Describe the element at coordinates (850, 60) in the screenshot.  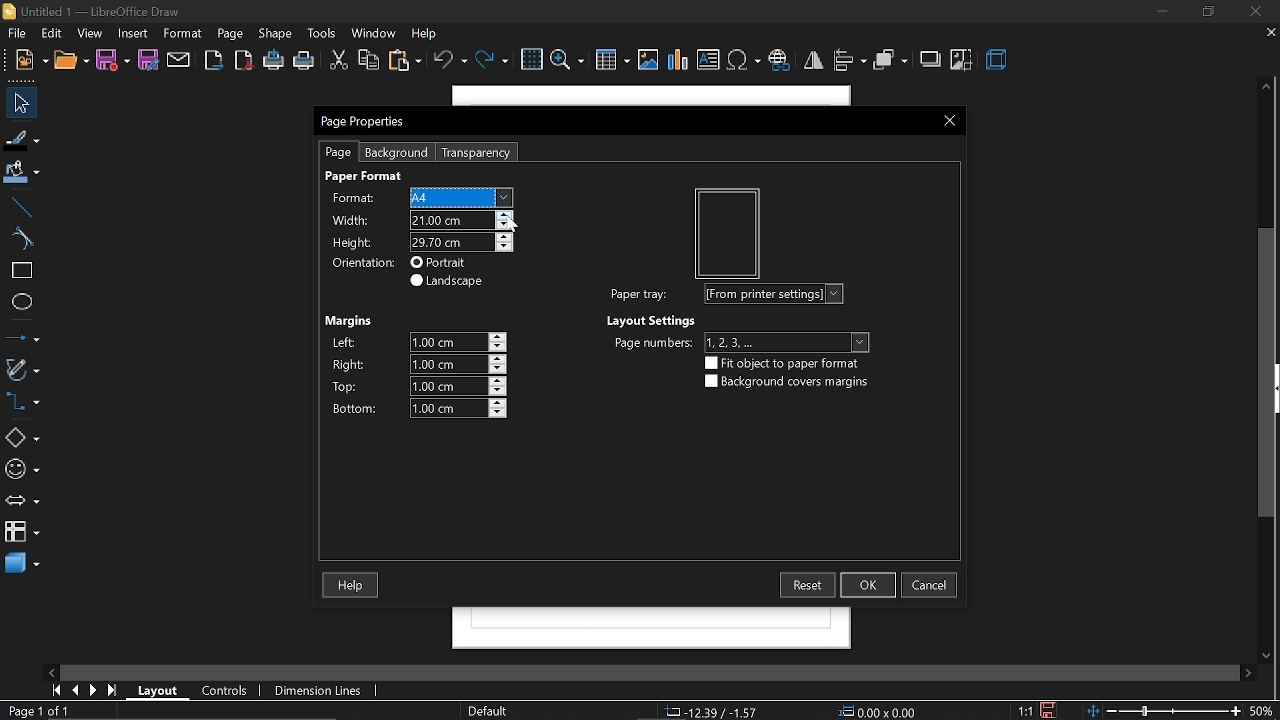
I see `align` at that location.